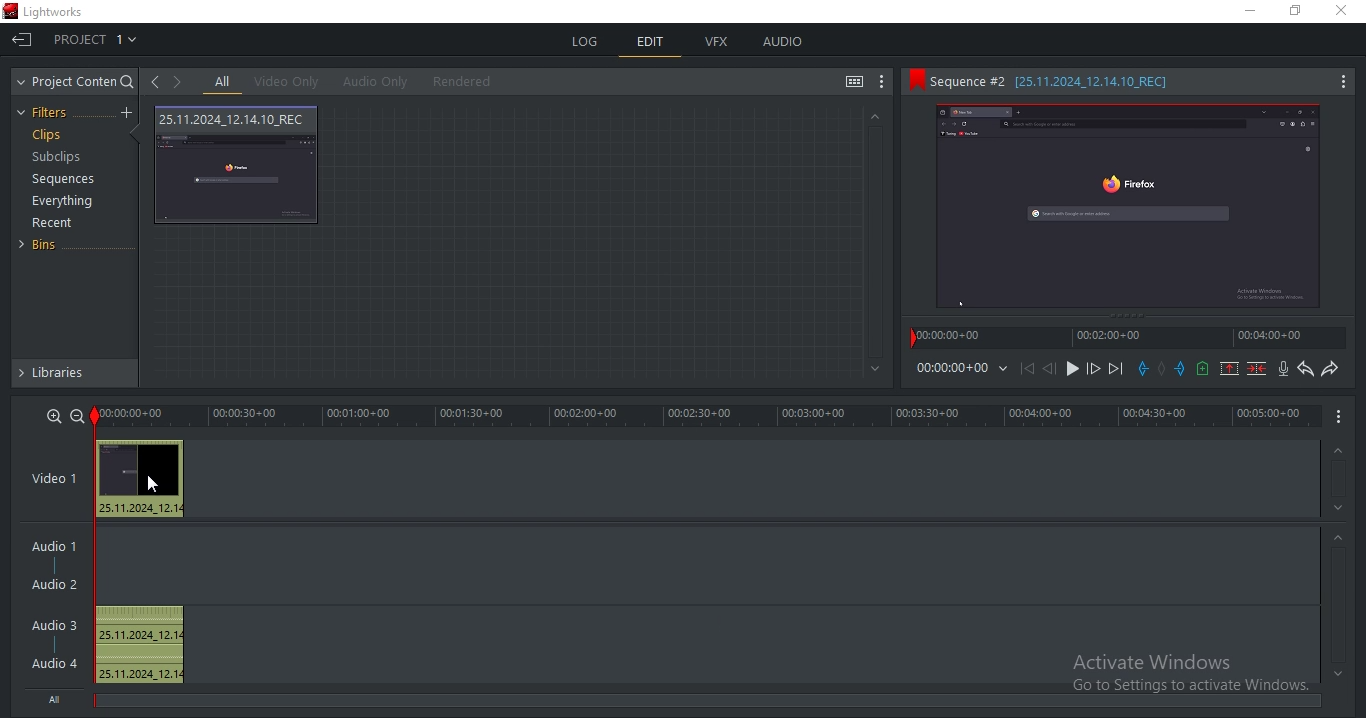 The height and width of the screenshot is (718, 1366). I want to click on project content, so click(75, 82).